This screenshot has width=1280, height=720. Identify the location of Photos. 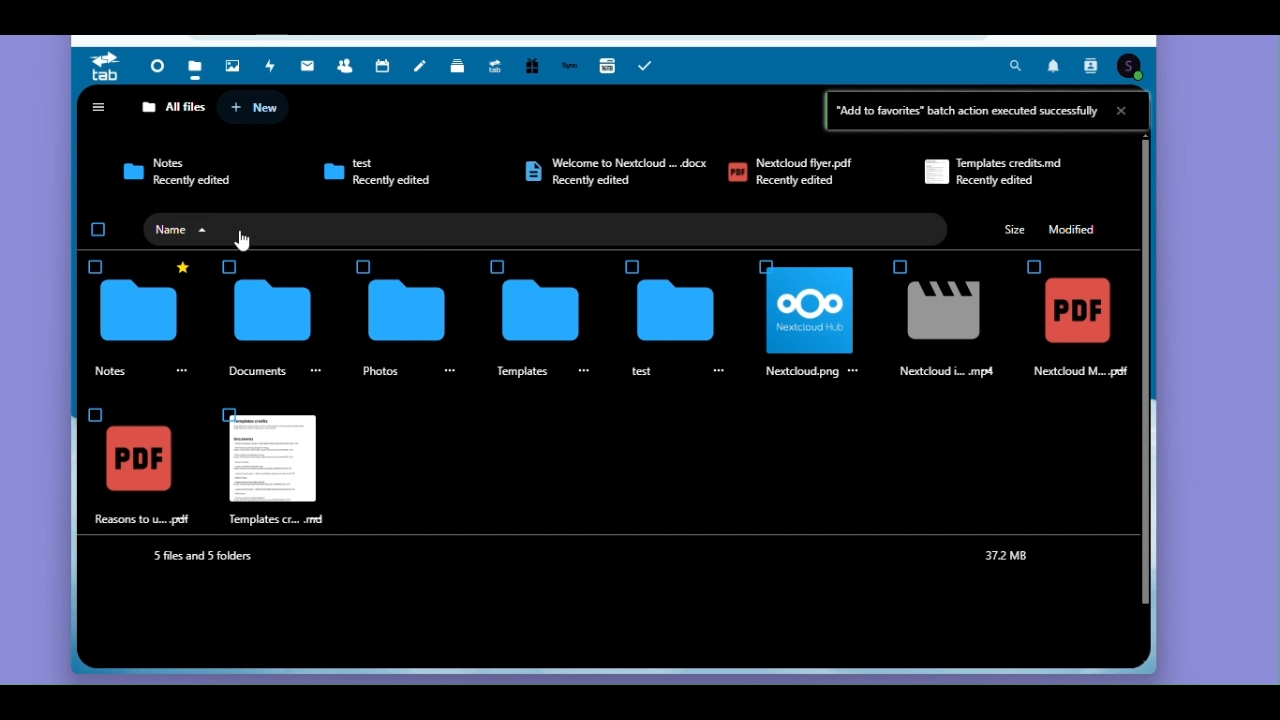
(233, 64).